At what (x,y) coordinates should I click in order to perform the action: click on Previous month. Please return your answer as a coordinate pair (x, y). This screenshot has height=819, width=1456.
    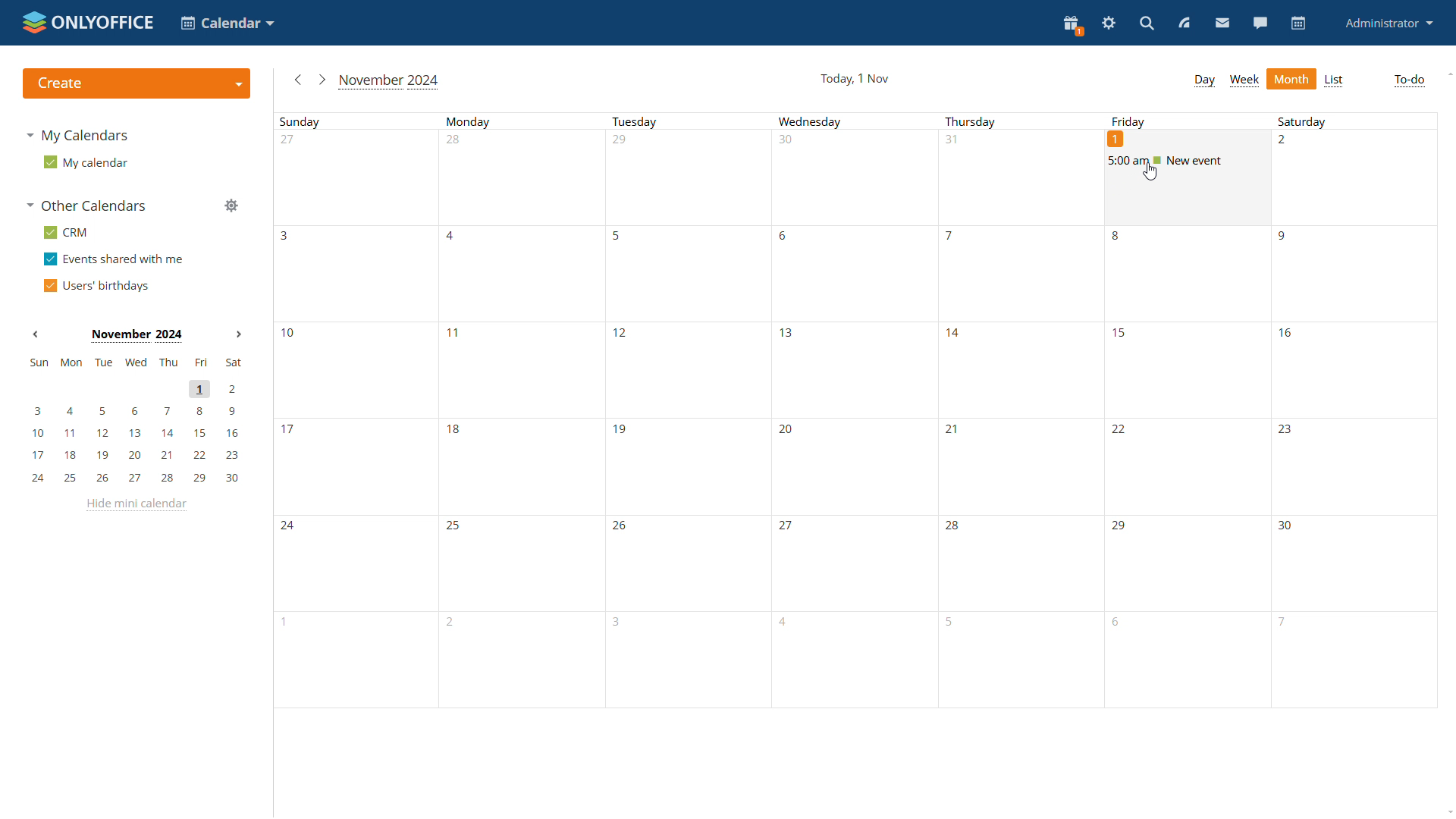
    Looking at the image, I should click on (36, 334).